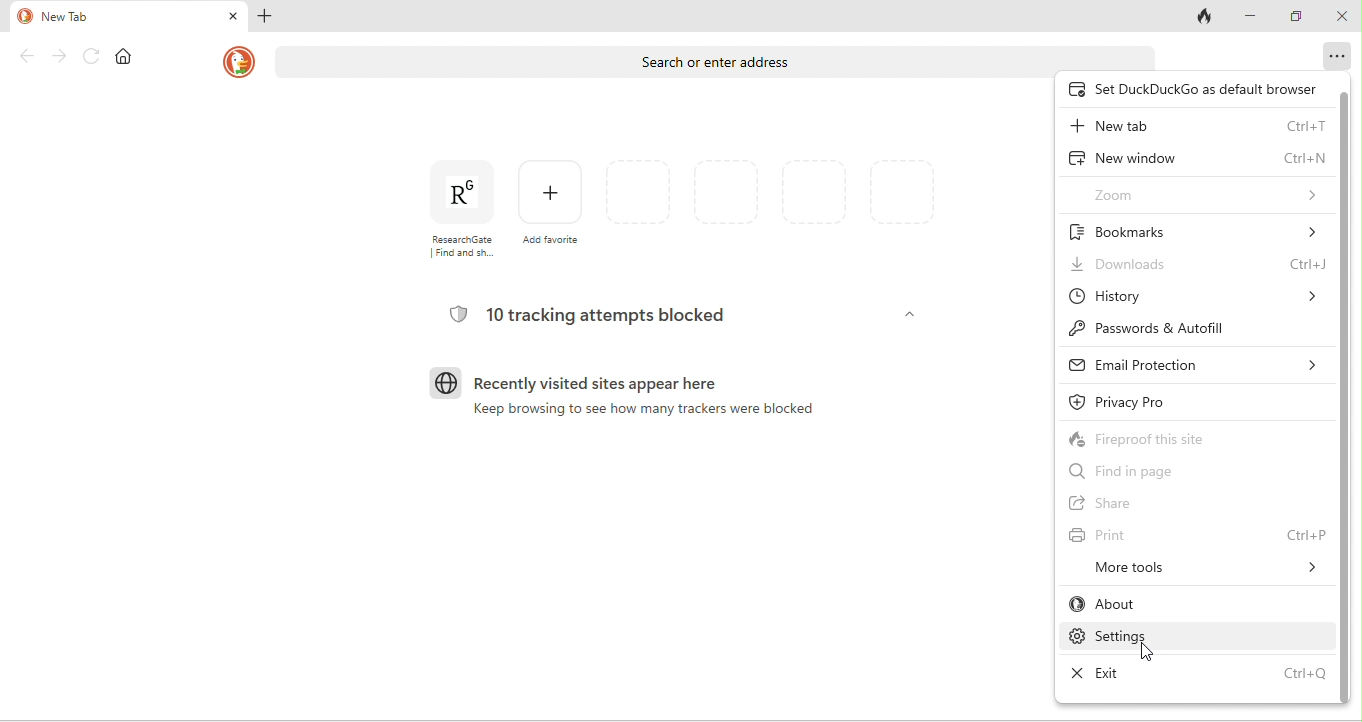  What do you see at coordinates (1344, 15) in the screenshot?
I see `close` at bounding box center [1344, 15].